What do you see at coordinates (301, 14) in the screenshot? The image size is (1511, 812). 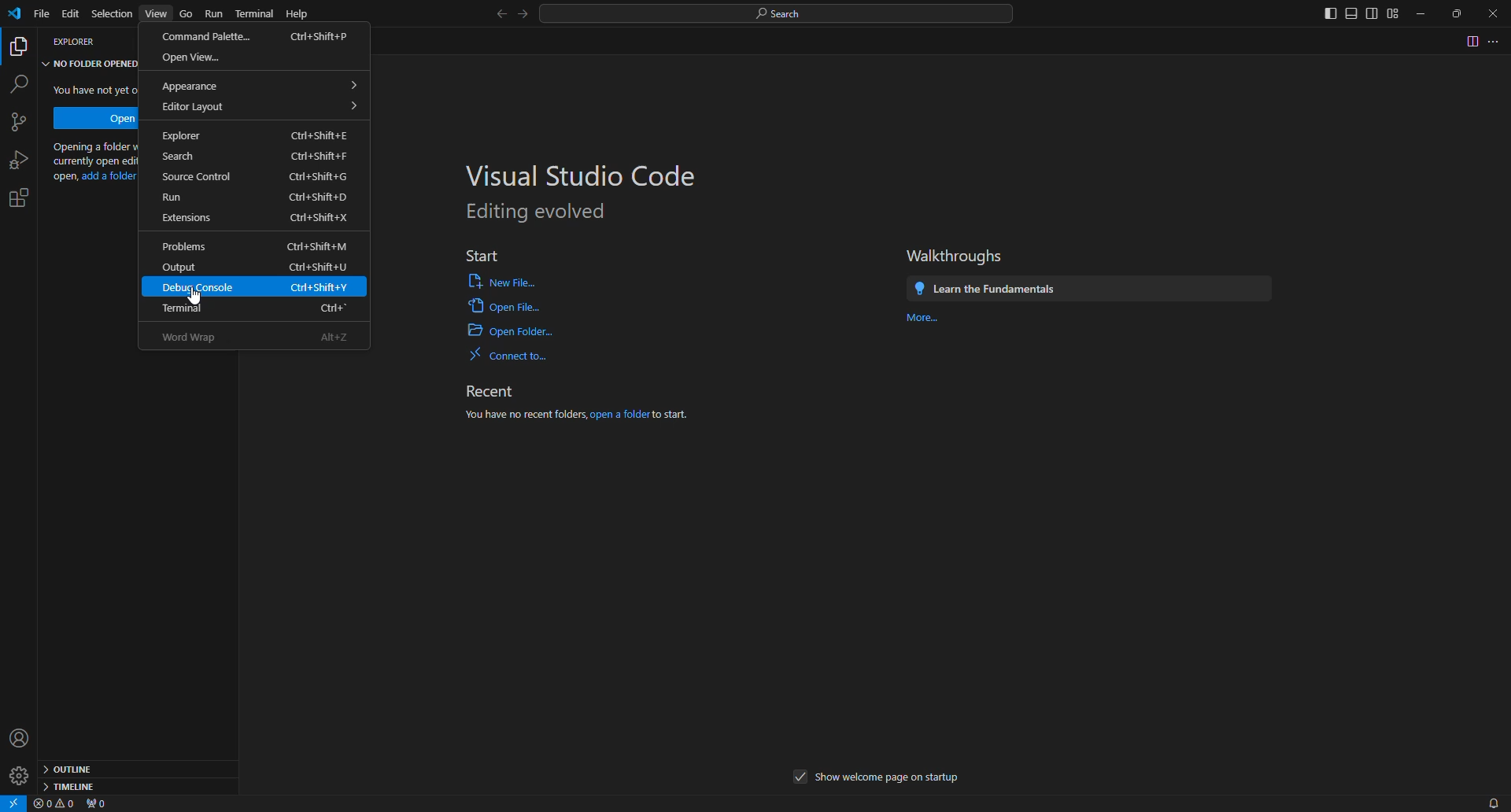 I see `Help` at bounding box center [301, 14].